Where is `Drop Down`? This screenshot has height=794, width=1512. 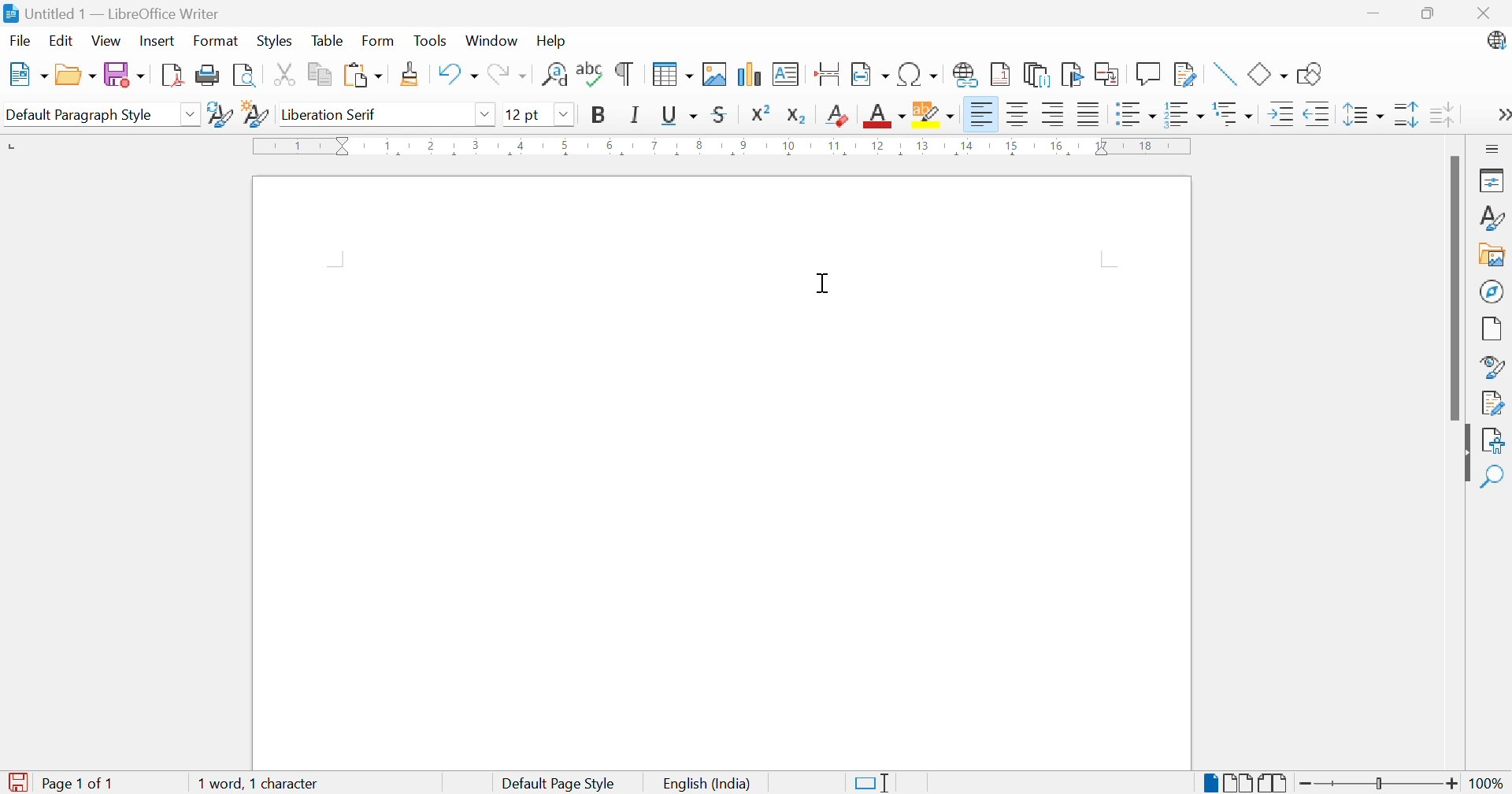 Drop Down is located at coordinates (485, 115).